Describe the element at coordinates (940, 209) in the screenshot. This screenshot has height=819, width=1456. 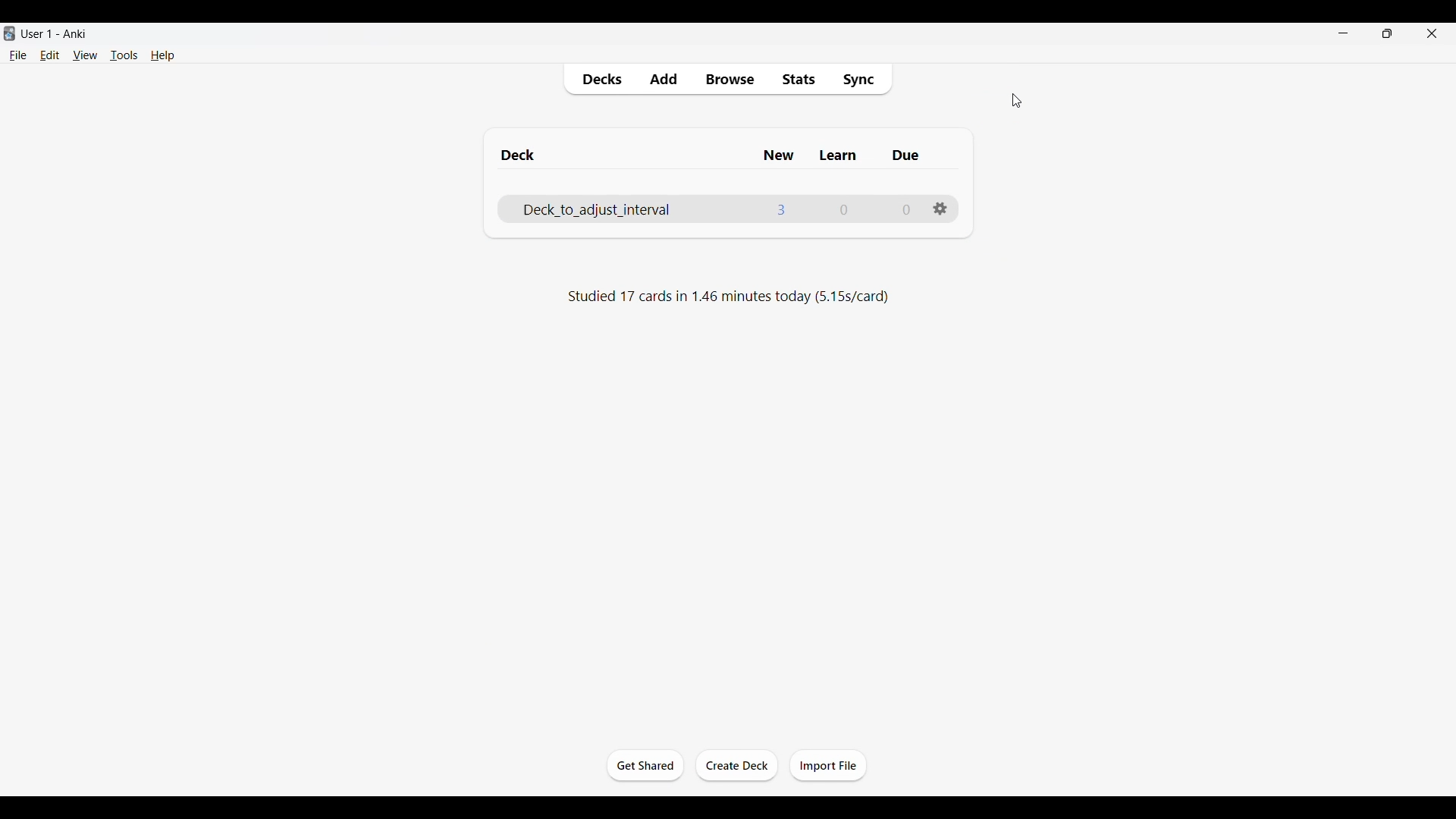
I see `Settings` at that location.